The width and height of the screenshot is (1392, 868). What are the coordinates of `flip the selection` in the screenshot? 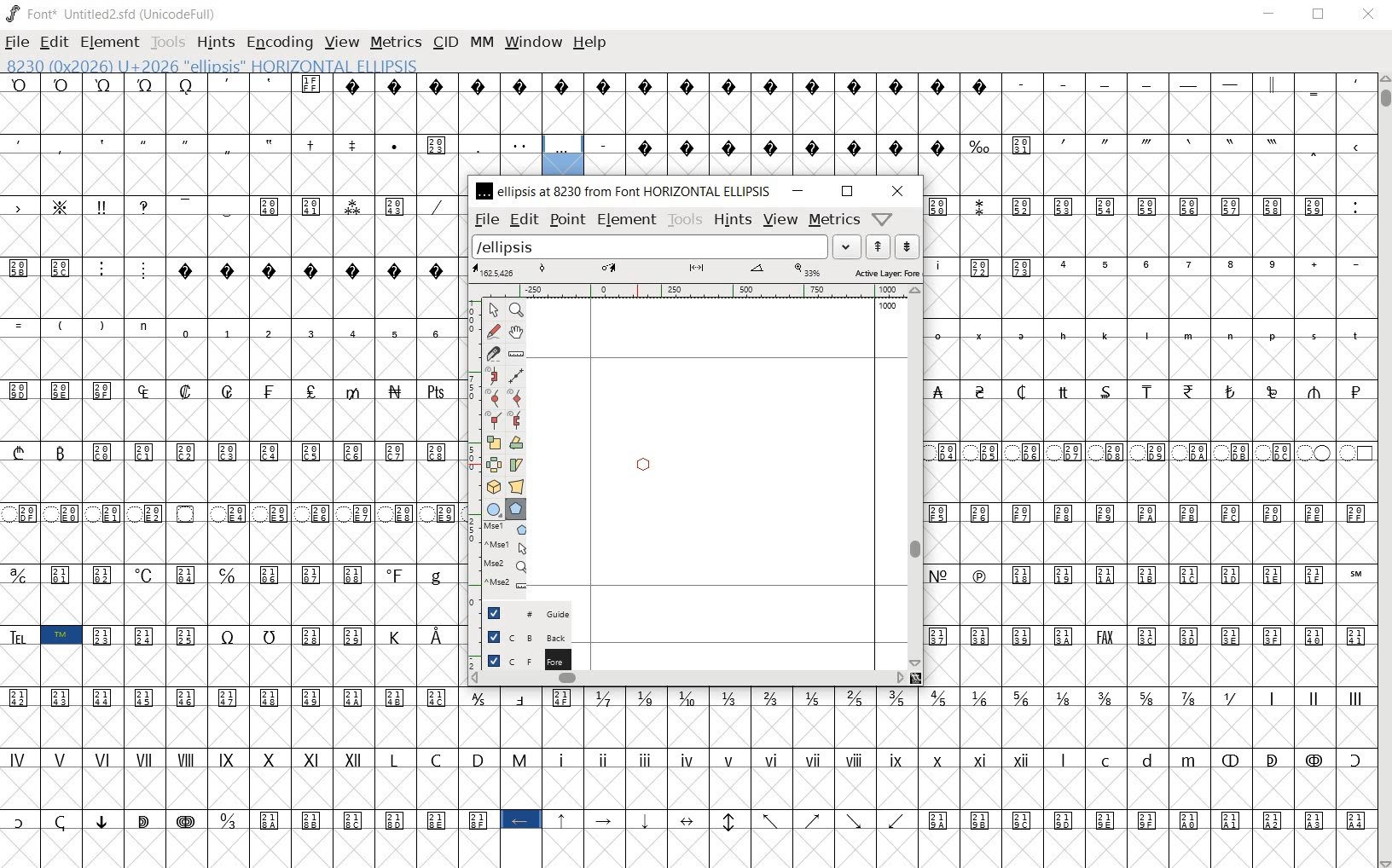 It's located at (495, 464).